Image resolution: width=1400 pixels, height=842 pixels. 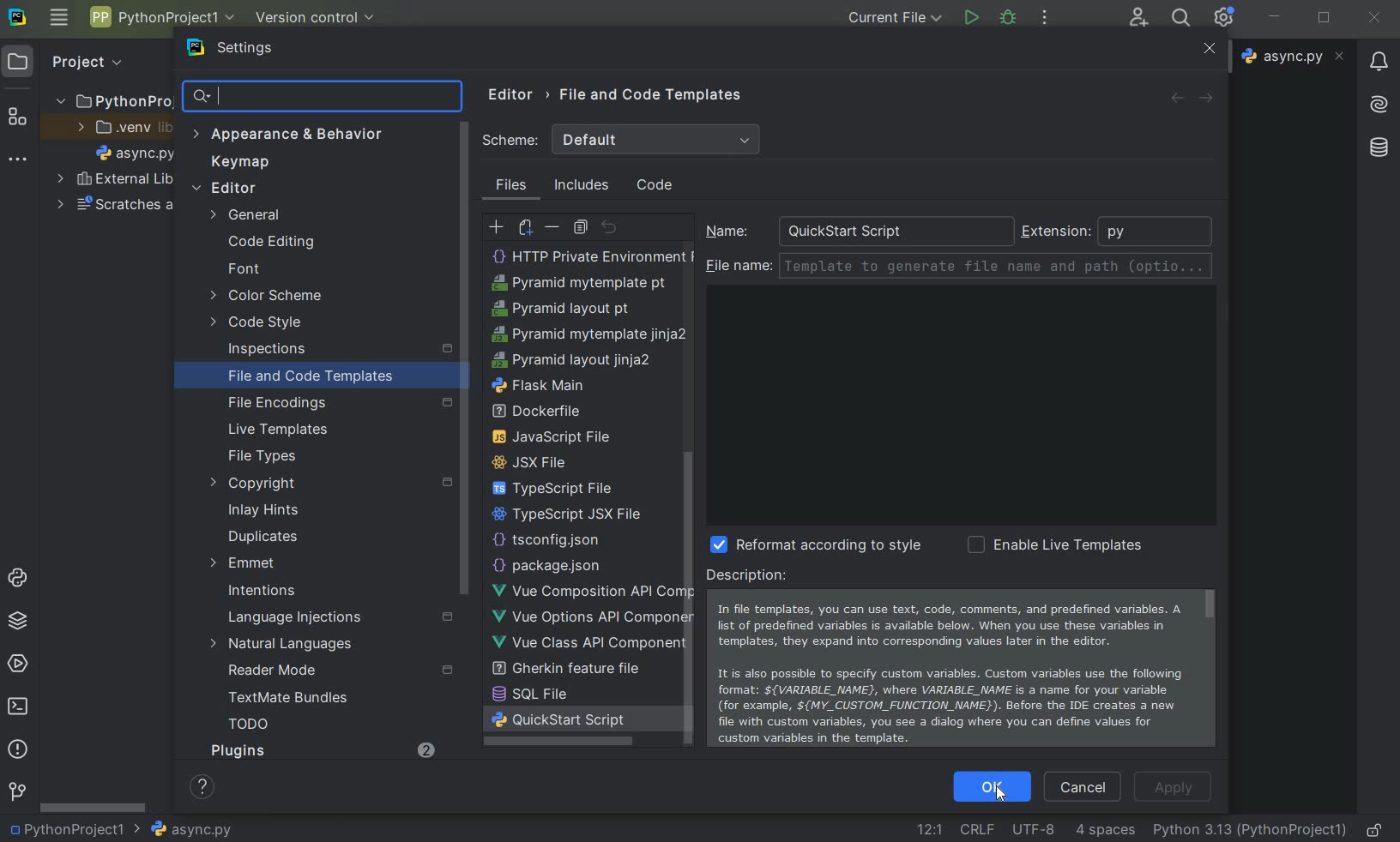 What do you see at coordinates (263, 325) in the screenshot?
I see `code style` at bounding box center [263, 325].